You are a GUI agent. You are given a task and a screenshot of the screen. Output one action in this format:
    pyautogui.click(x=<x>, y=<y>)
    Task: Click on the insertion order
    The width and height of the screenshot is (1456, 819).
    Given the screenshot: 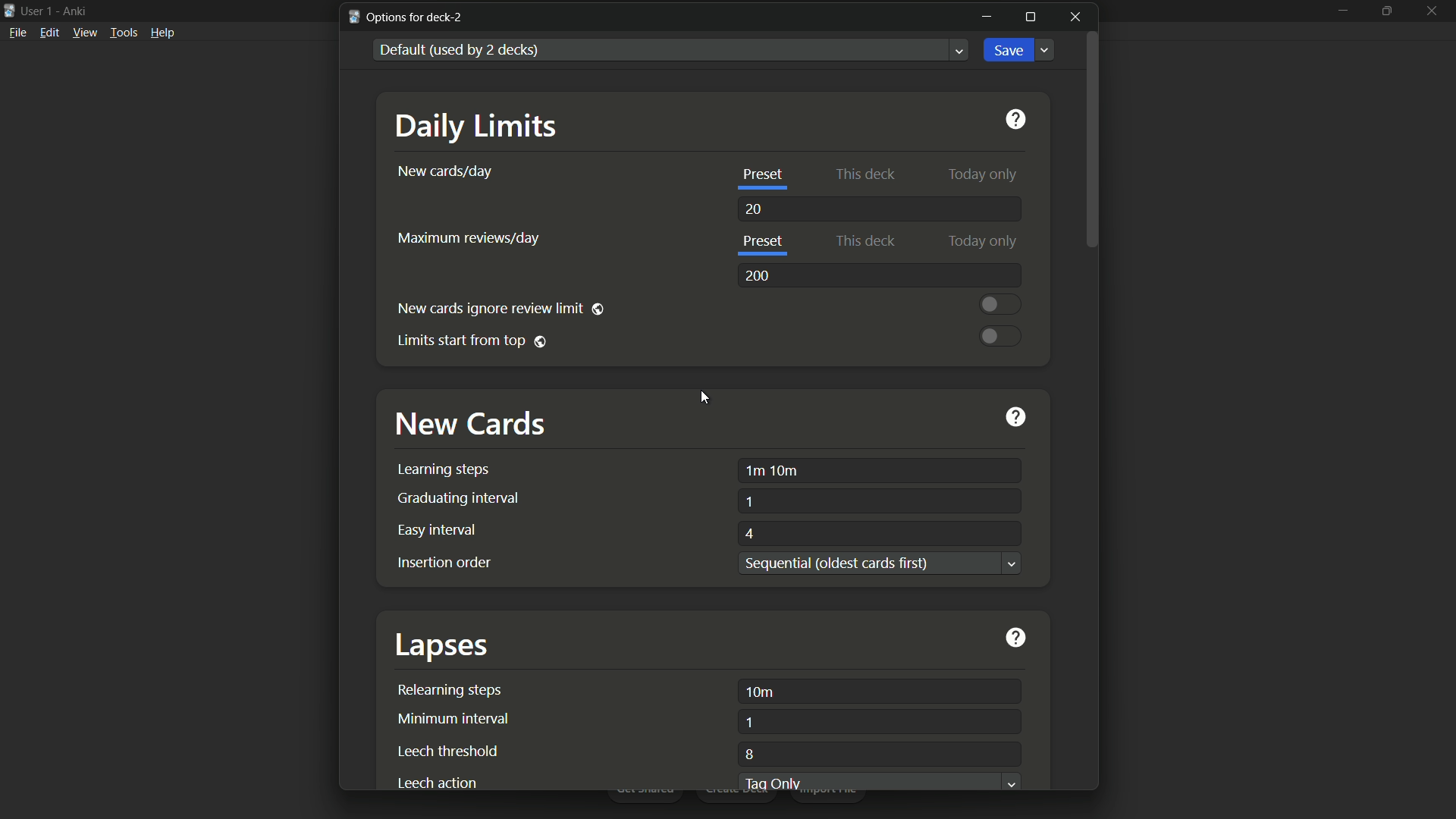 What is the action you would take?
    pyautogui.click(x=444, y=562)
    